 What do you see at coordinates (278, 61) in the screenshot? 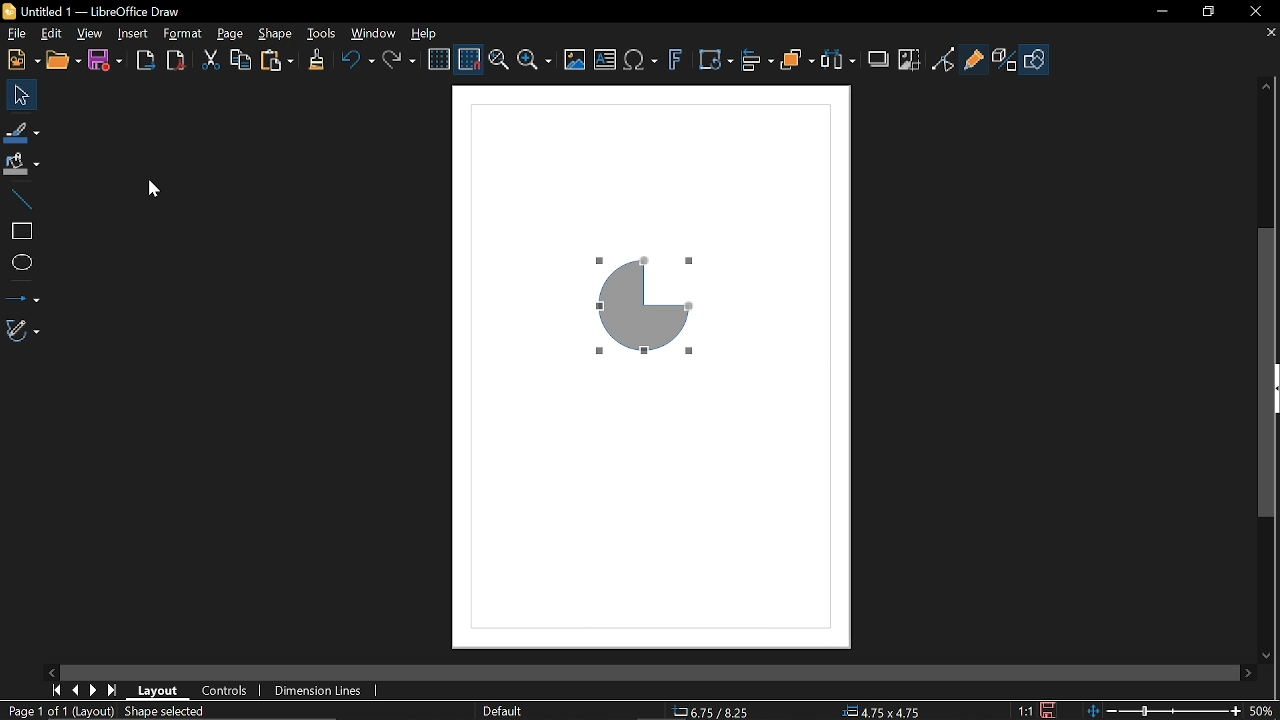
I see `Paste` at bounding box center [278, 61].